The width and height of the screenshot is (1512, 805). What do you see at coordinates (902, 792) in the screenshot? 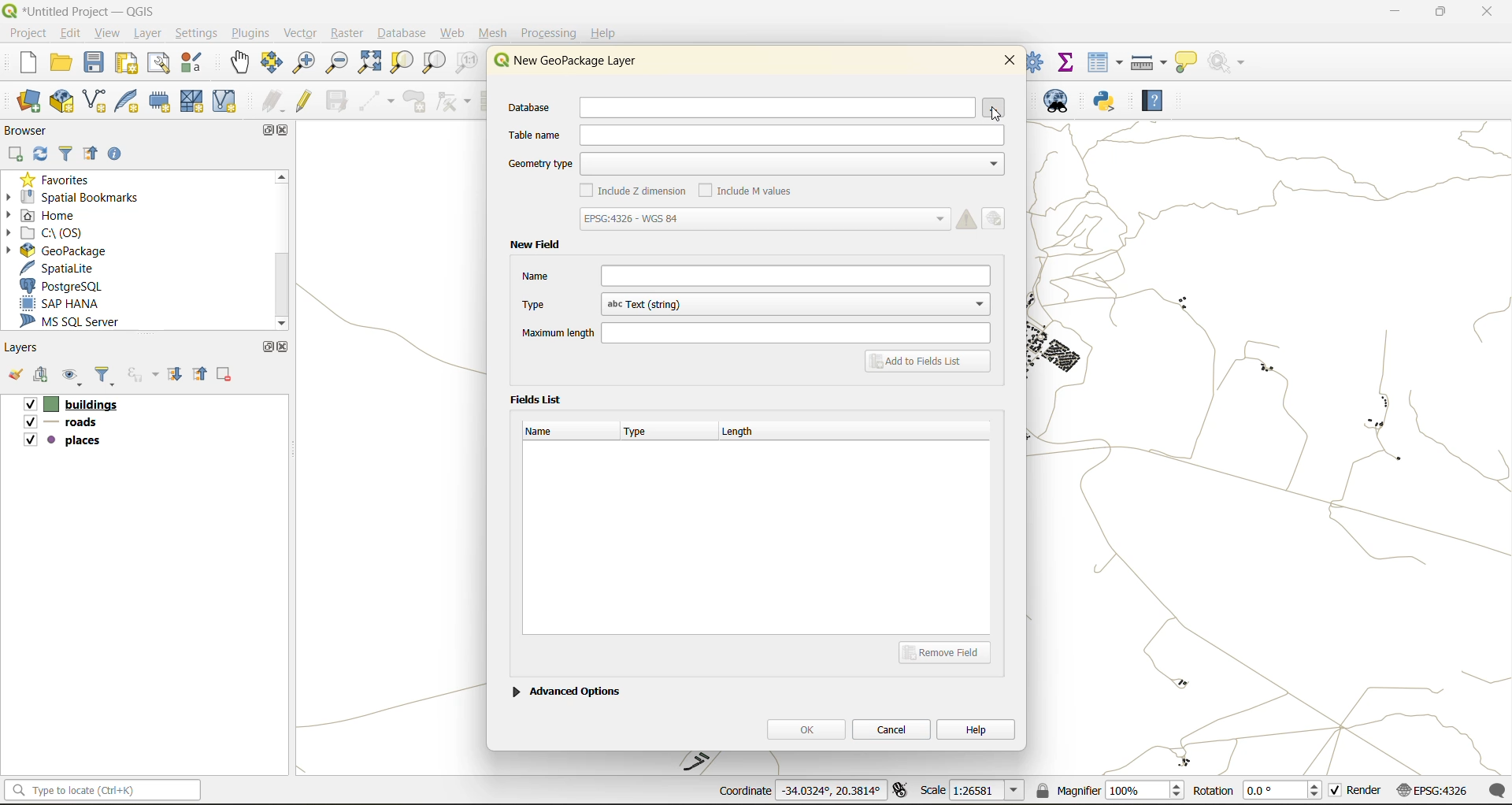
I see `toggle extents` at bounding box center [902, 792].